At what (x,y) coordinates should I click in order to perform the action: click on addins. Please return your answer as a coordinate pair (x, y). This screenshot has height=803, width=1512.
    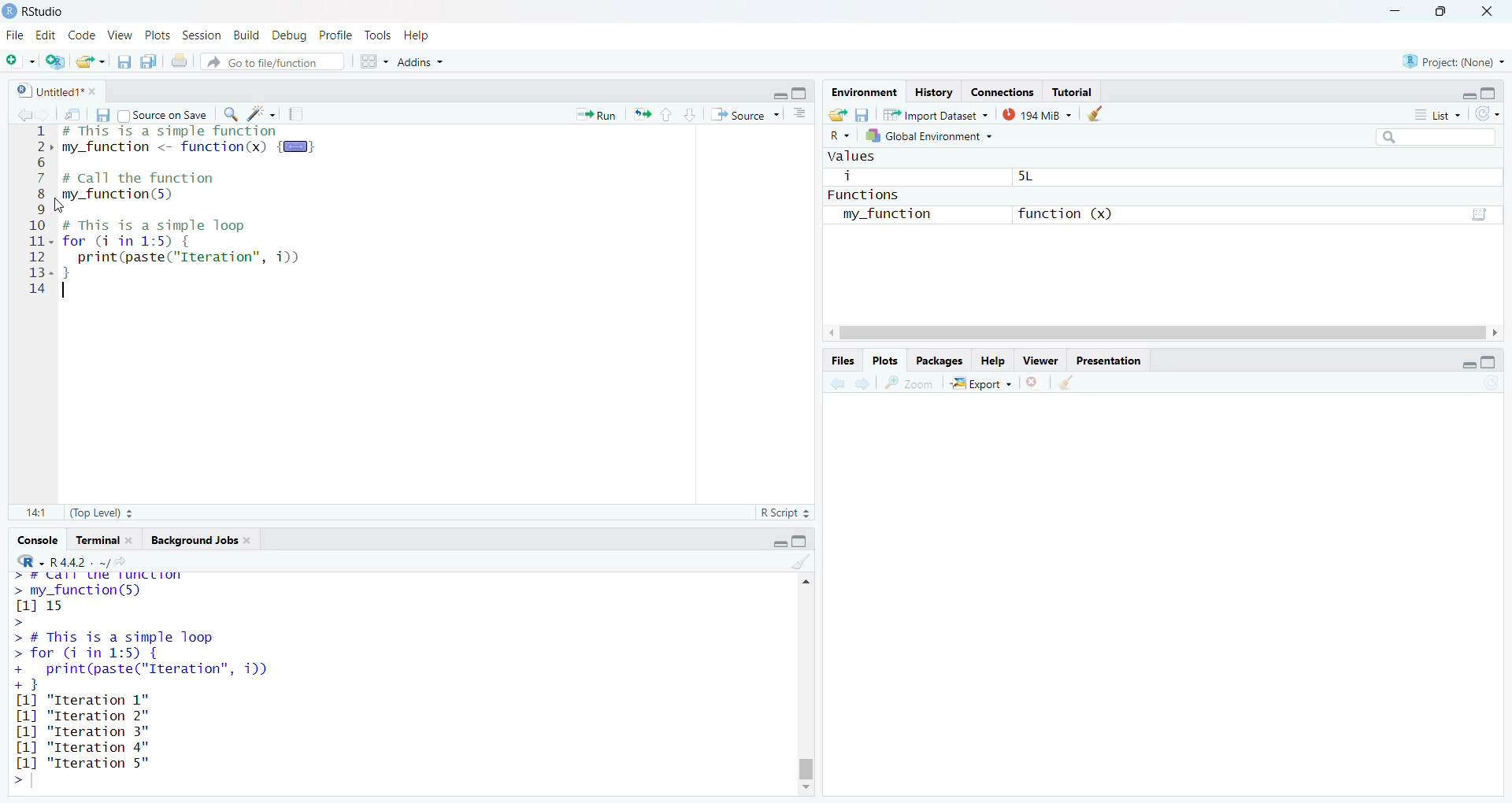
    Looking at the image, I should click on (421, 61).